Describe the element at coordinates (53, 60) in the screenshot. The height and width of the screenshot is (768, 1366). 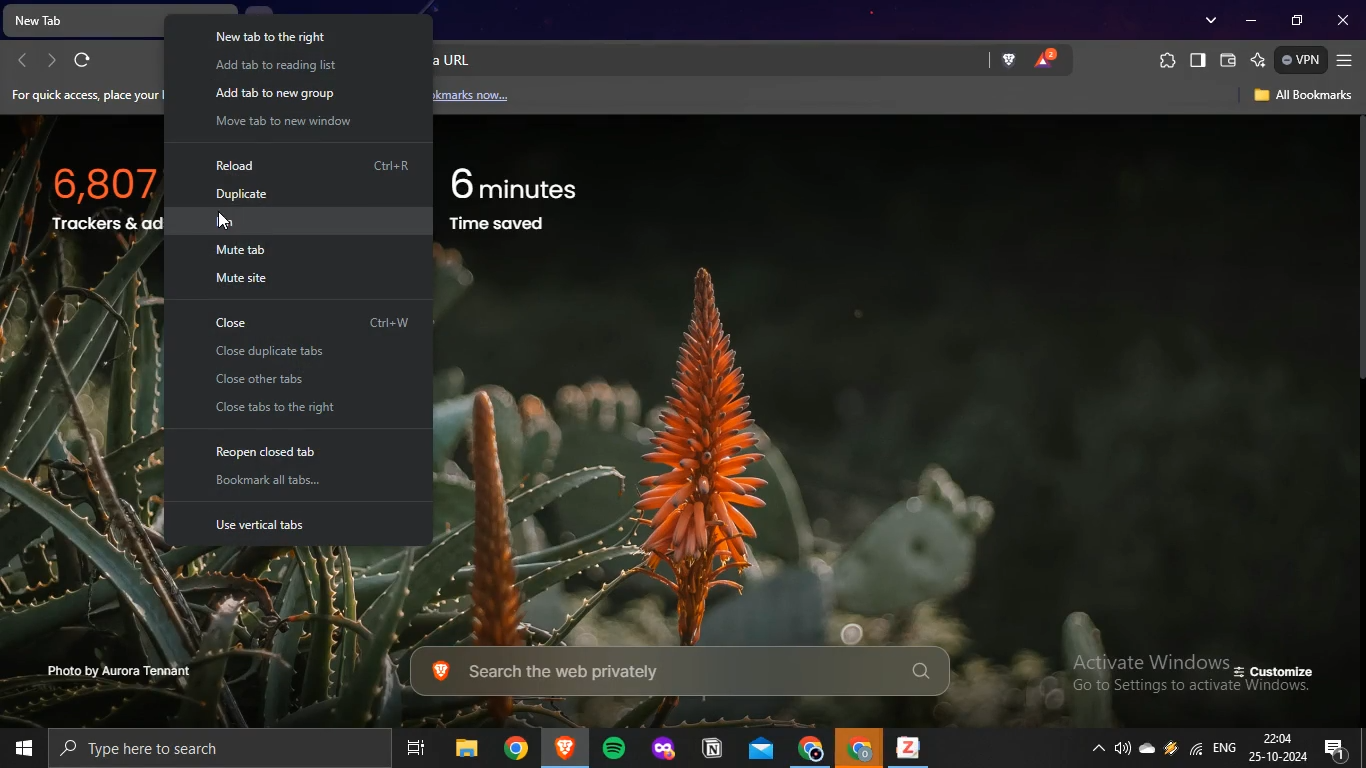
I see `forward` at that location.